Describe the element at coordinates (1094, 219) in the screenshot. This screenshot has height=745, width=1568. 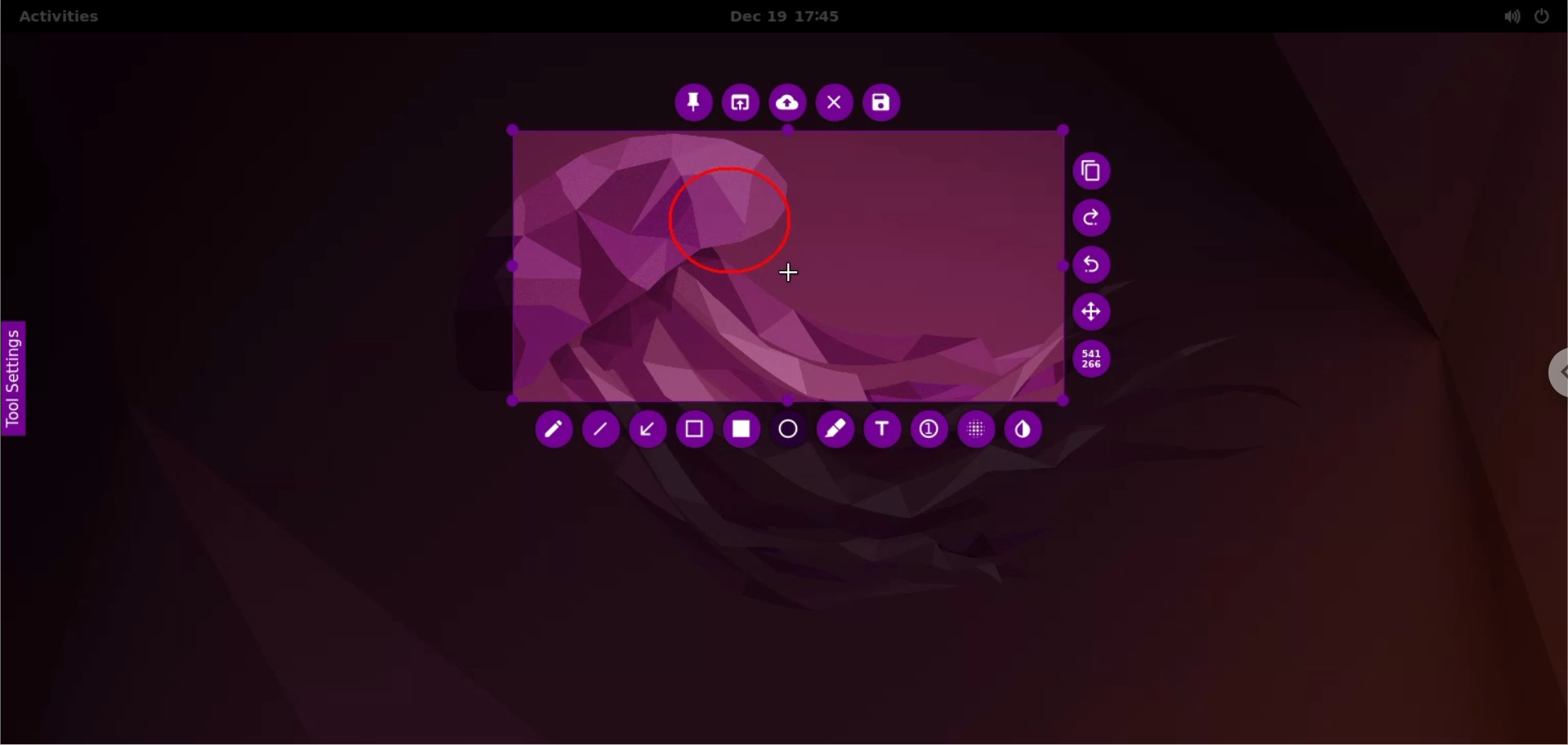
I see `redo` at that location.